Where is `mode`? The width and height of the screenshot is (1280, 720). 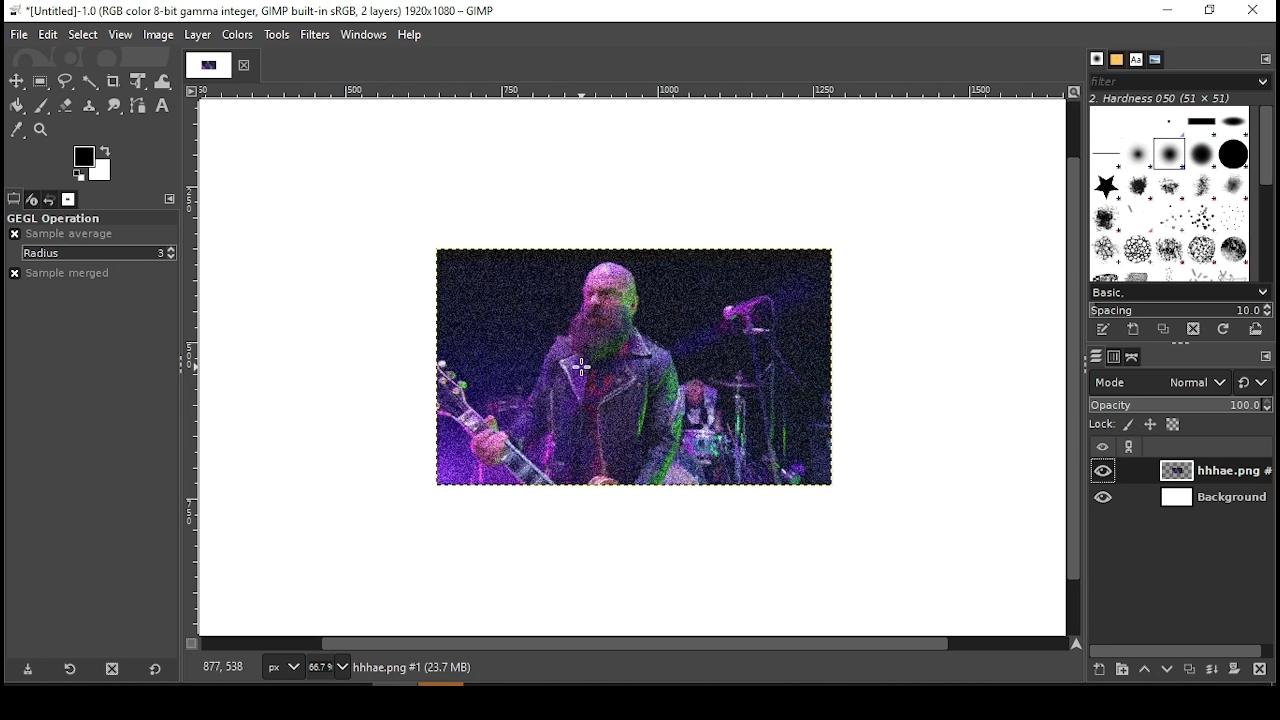
mode is located at coordinates (1160, 383).